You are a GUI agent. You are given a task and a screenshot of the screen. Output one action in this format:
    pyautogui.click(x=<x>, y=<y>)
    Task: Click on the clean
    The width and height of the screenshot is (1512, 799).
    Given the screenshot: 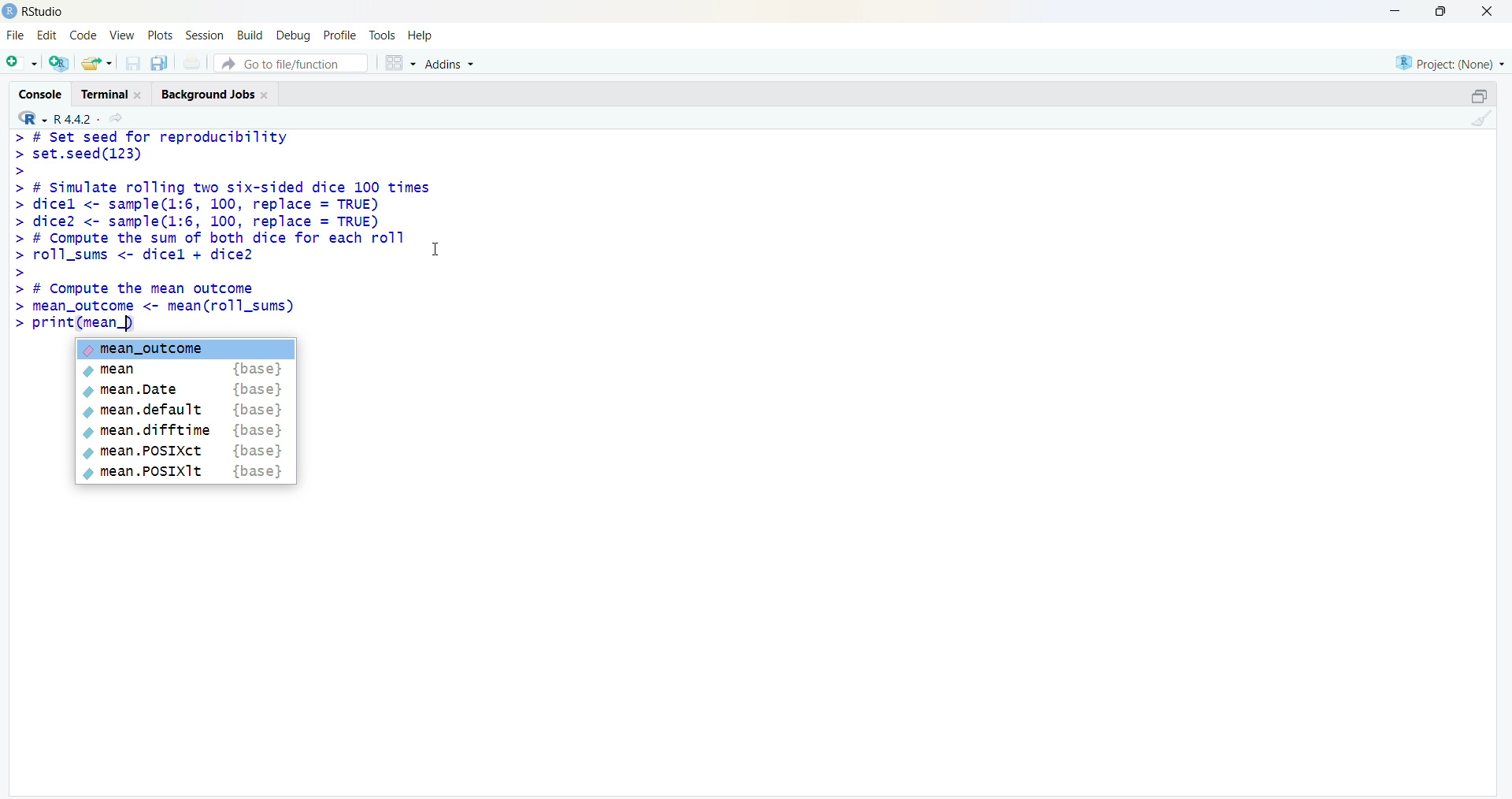 What is the action you would take?
    pyautogui.click(x=1482, y=117)
    